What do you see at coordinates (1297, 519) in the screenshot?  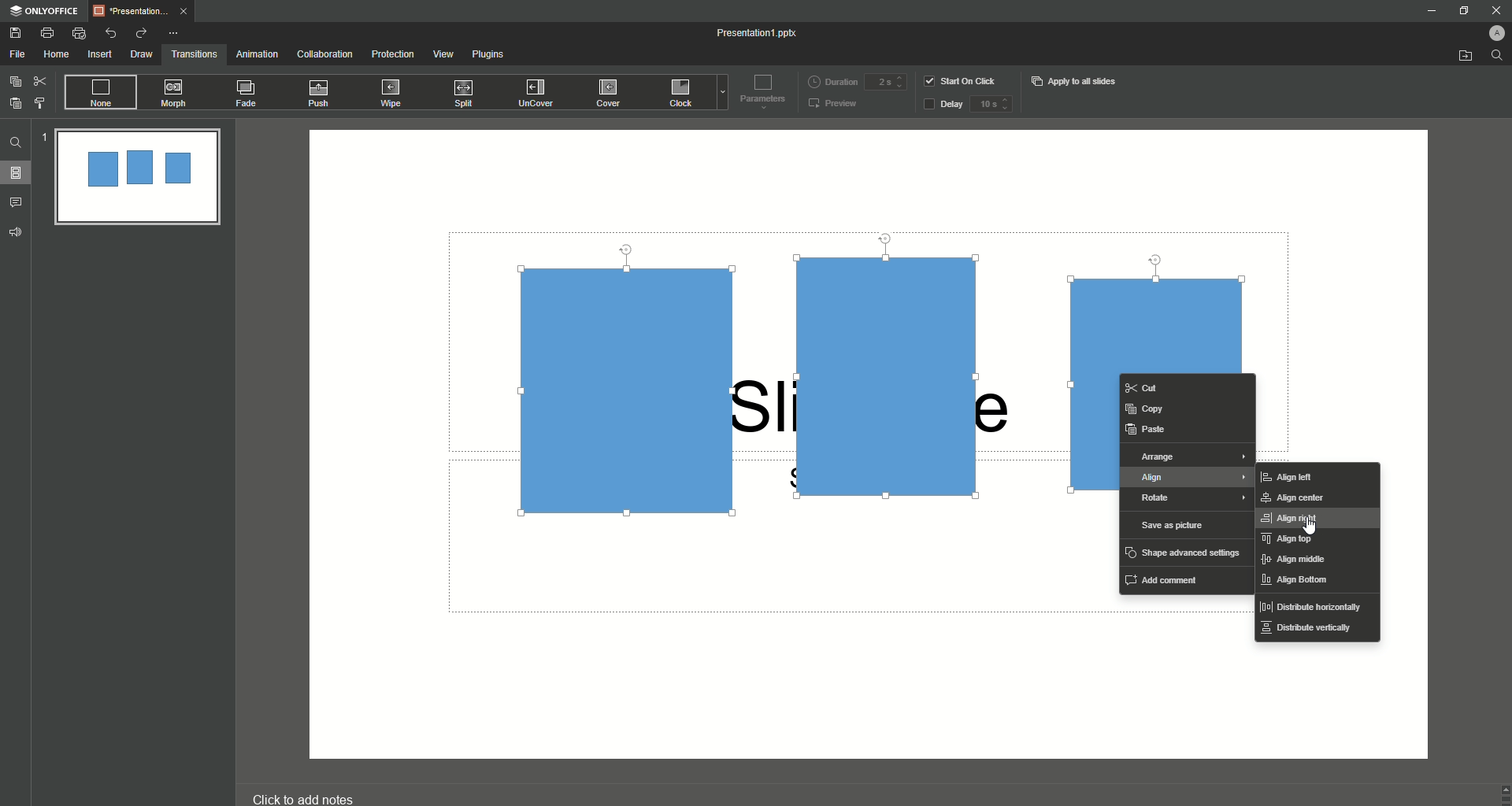 I see `Align right` at bounding box center [1297, 519].